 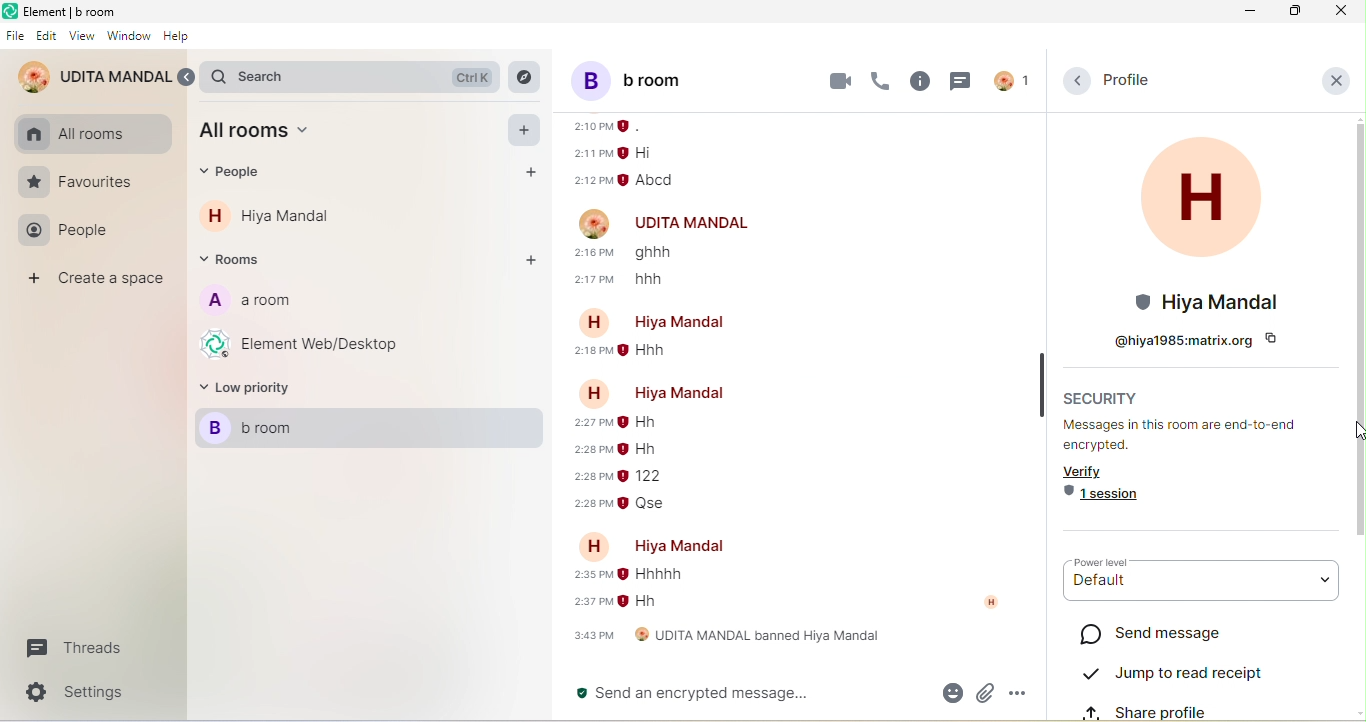 What do you see at coordinates (590, 353) in the screenshot?
I see `sending message time` at bounding box center [590, 353].